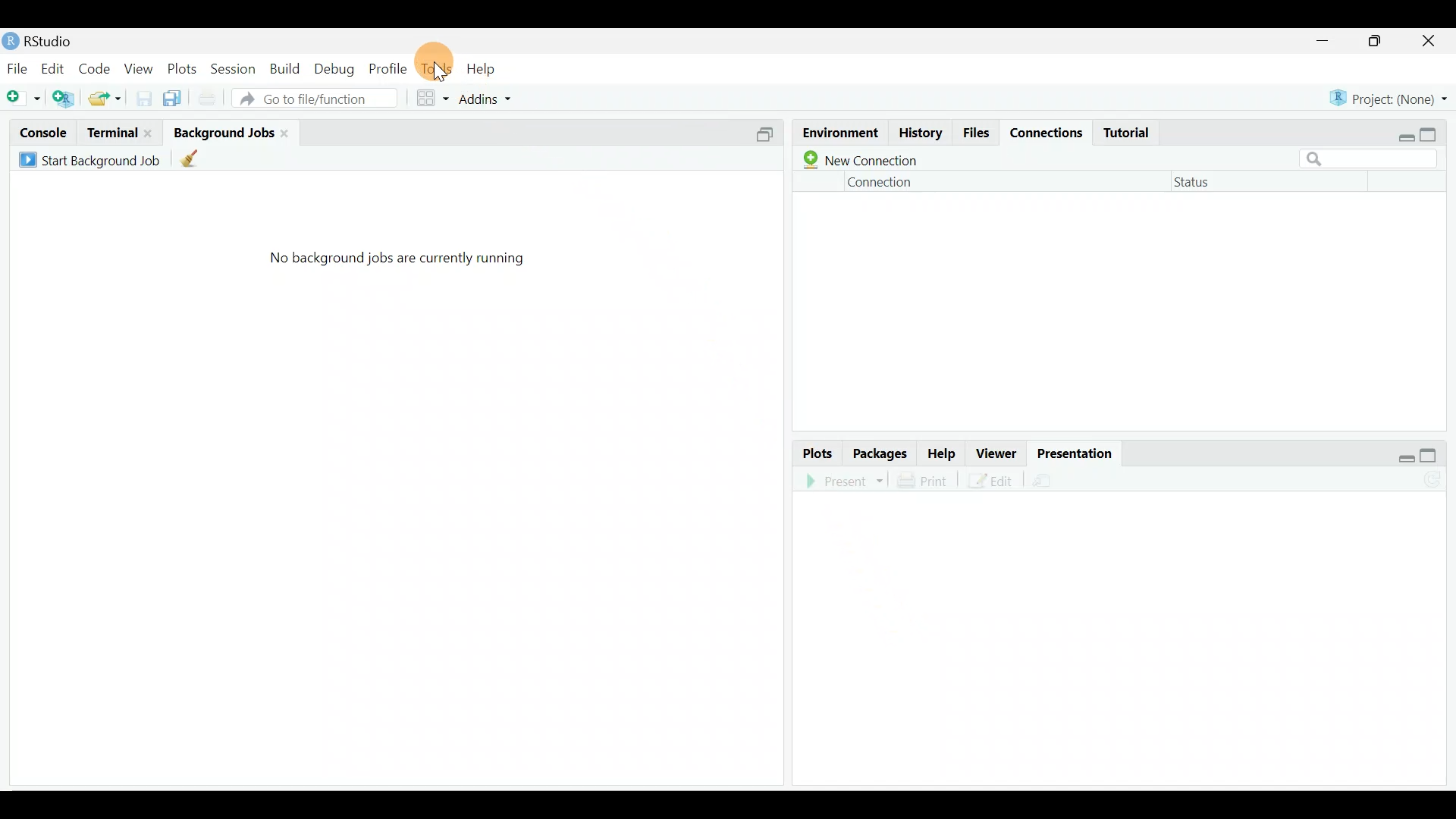  I want to click on History, so click(919, 132).